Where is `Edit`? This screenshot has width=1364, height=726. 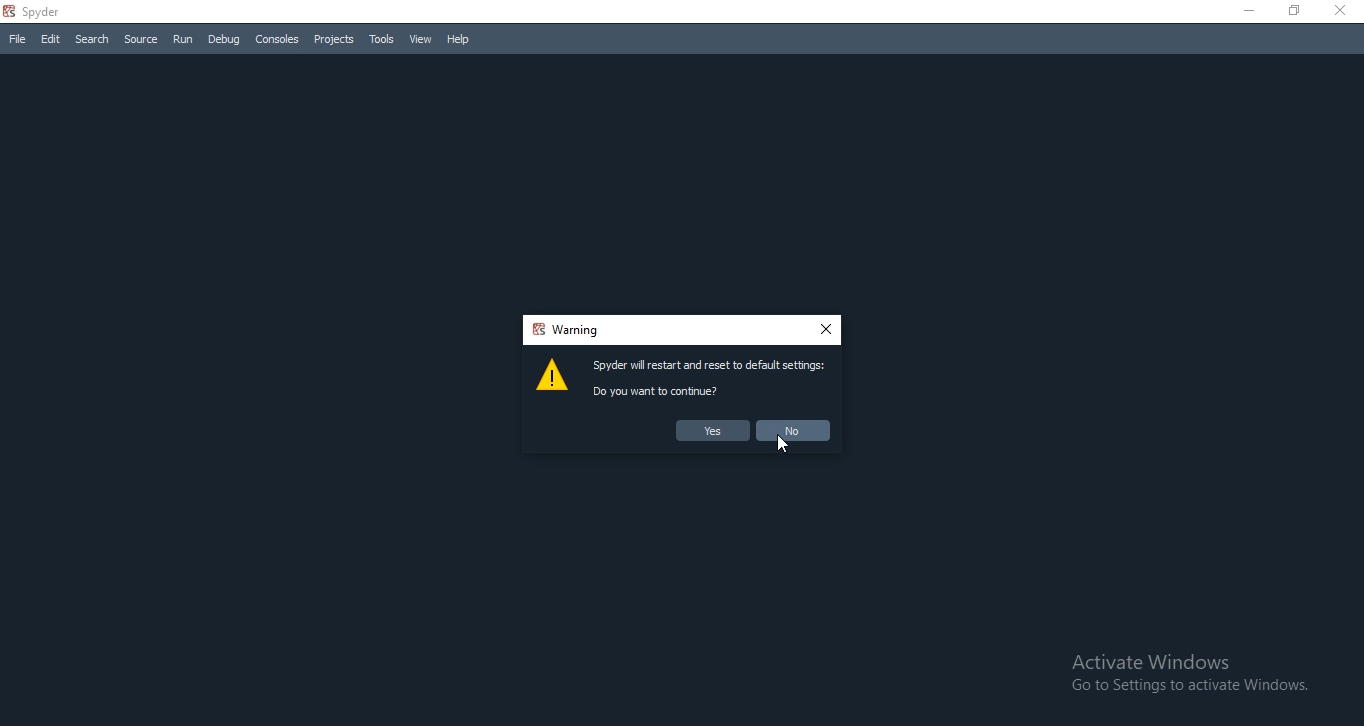
Edit is located at coordinates (48, 39).